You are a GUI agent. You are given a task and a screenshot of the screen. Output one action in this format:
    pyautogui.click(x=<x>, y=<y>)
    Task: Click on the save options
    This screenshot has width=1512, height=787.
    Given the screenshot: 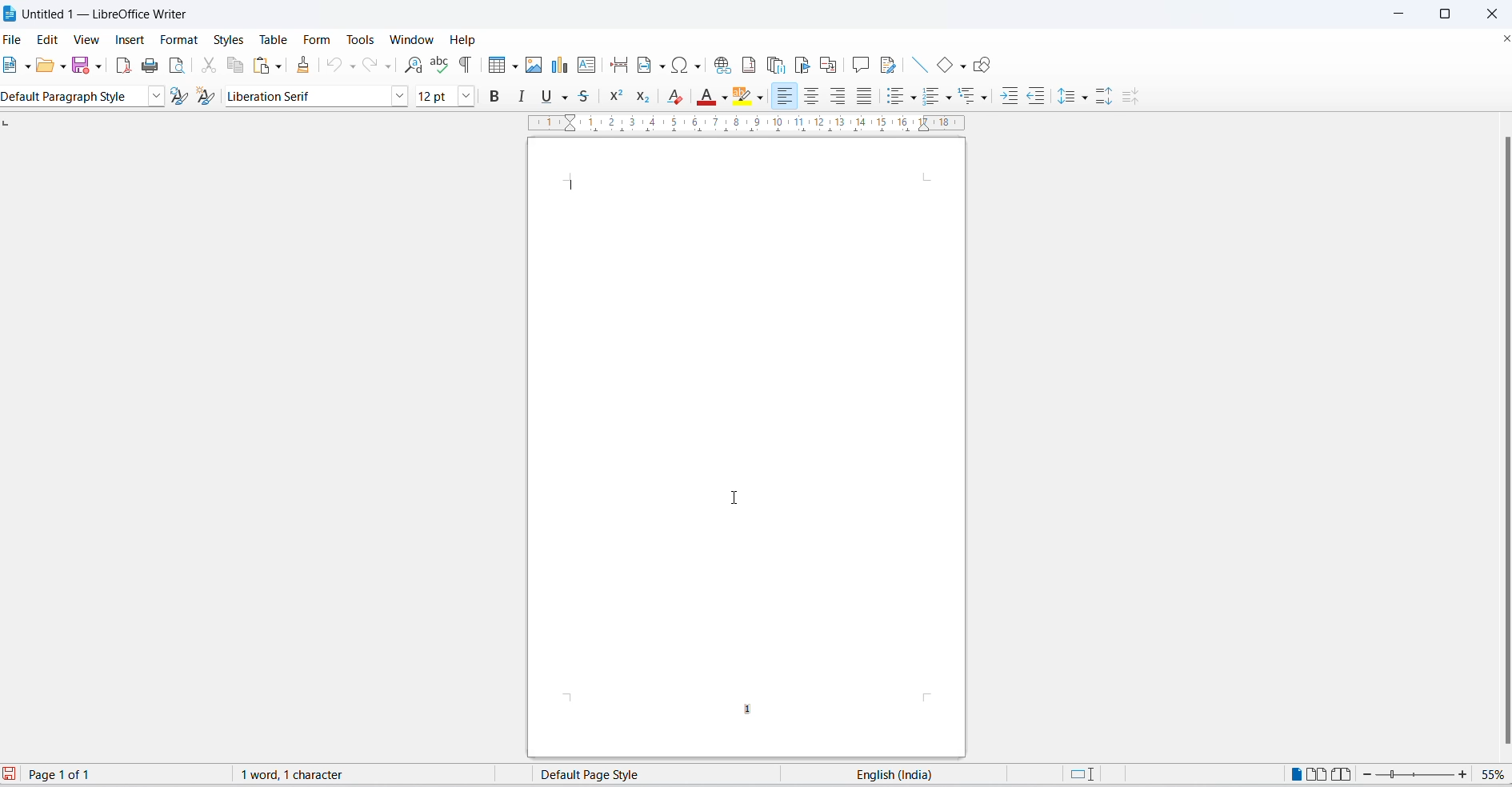 What is the action you would take?
    pyautogui.click(x=100, y=67)
    